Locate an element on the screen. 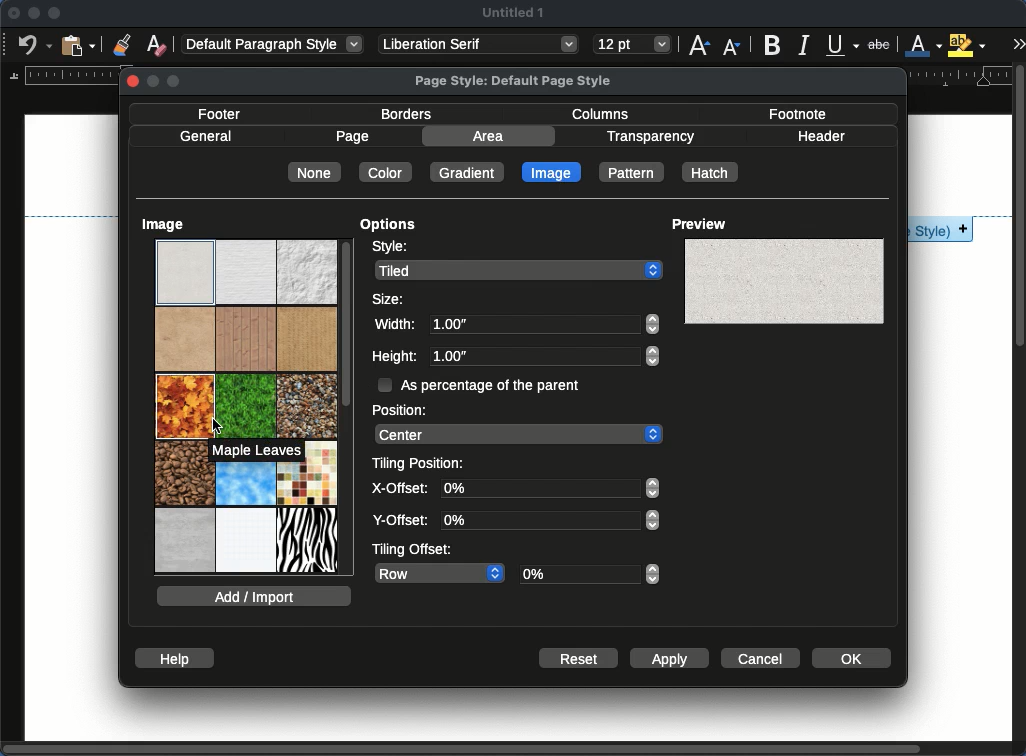  close is located at coordinates (14, 13).